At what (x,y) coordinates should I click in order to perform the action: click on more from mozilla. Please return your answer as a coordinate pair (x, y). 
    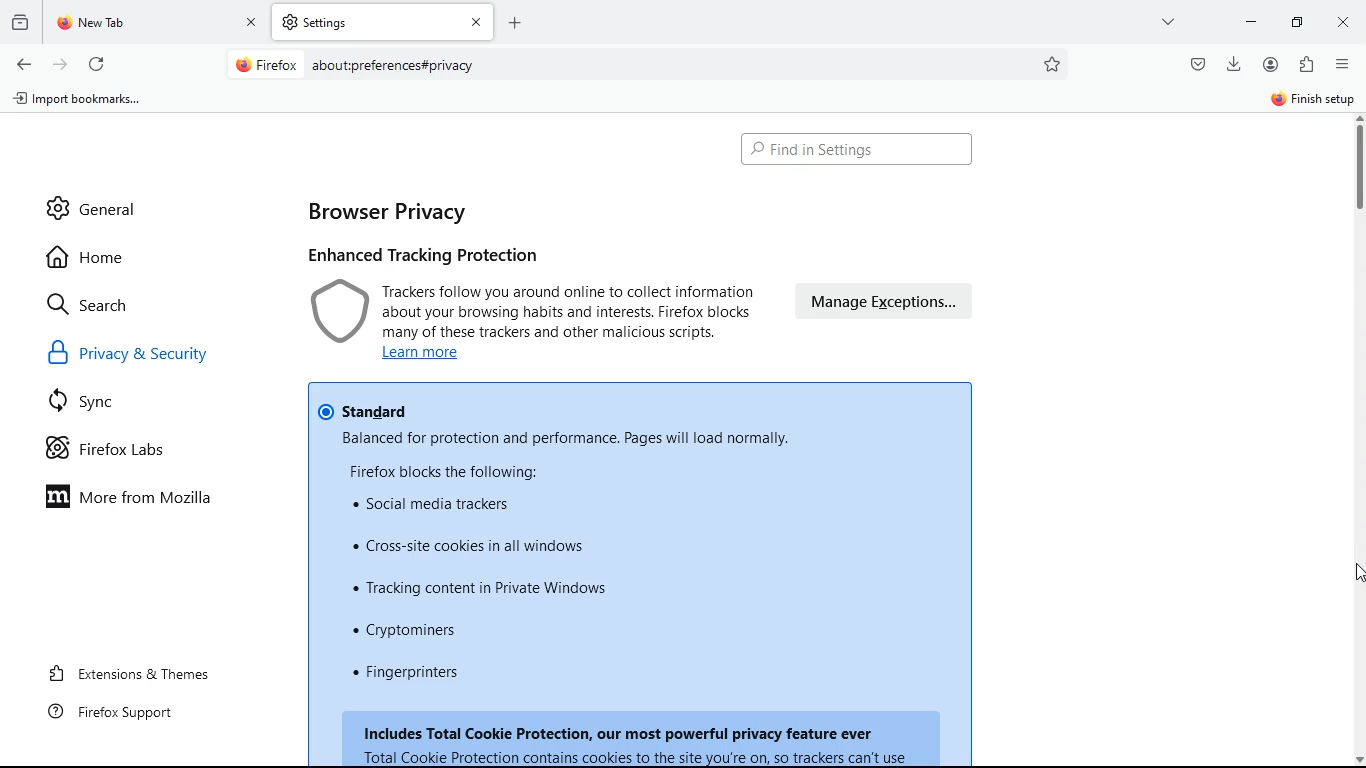
    Looking at the image, I should click on (146, 500).